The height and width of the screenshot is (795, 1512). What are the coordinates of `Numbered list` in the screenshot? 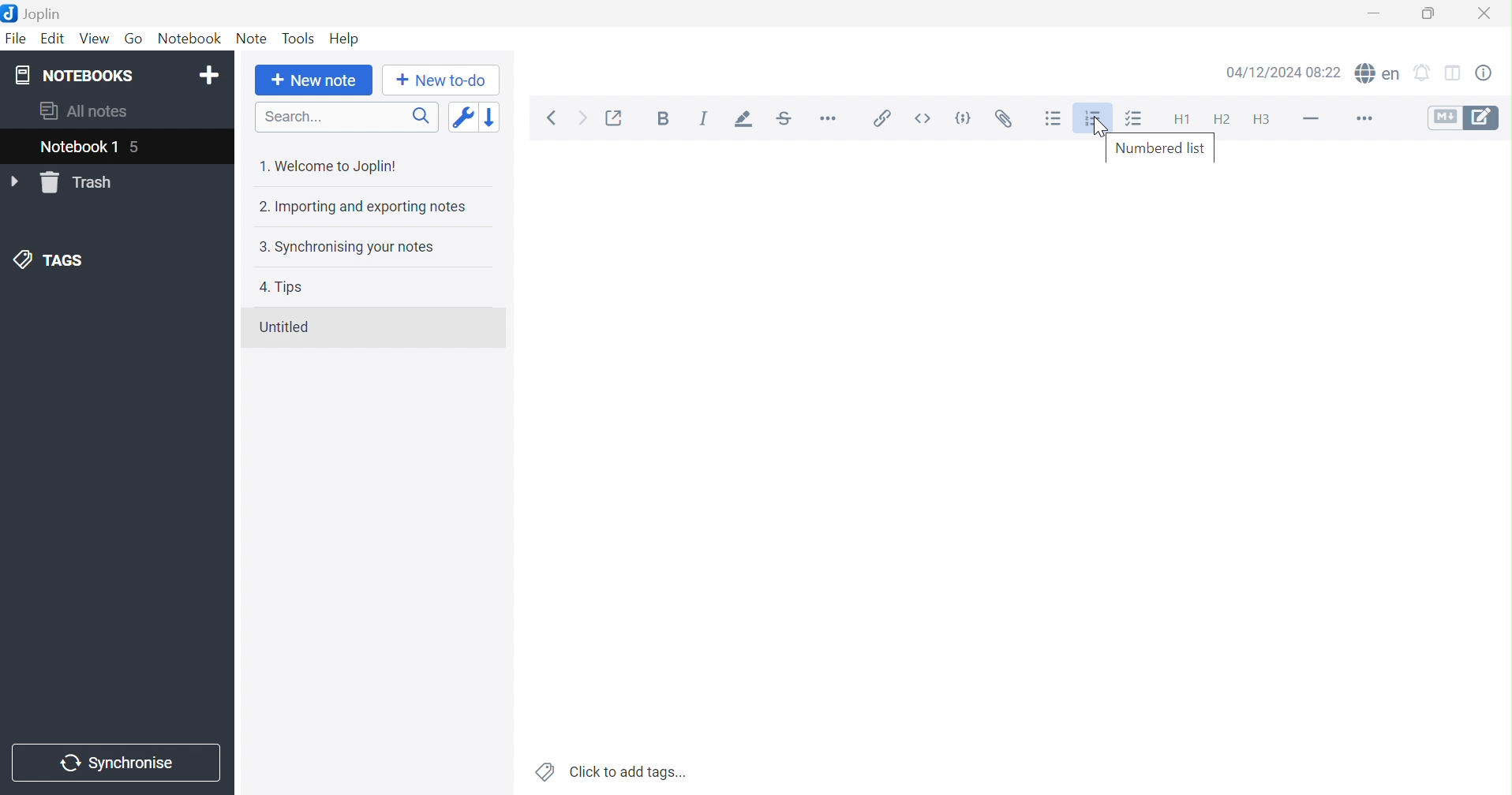 It's located at (1161, 148).